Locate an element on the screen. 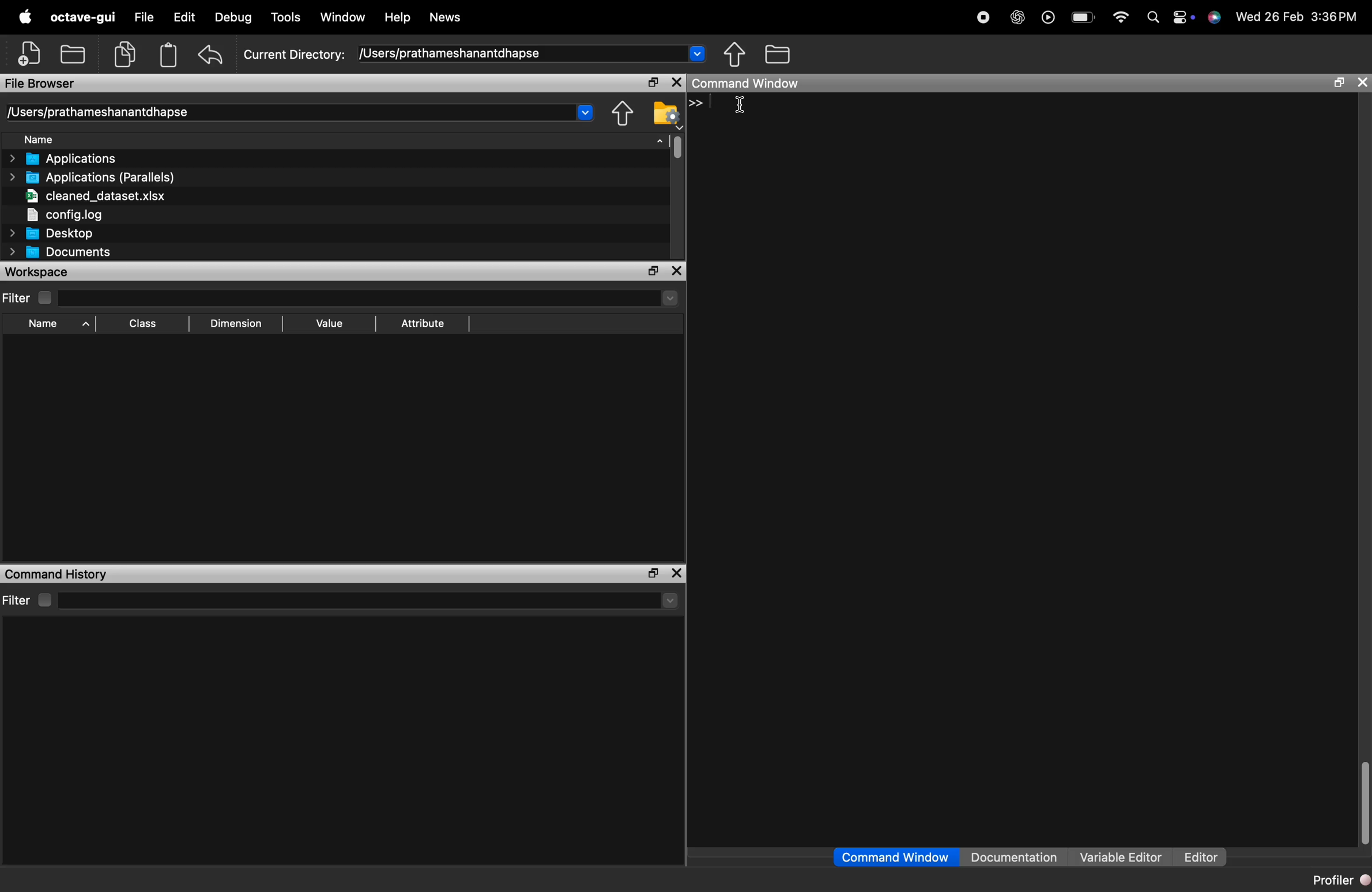  Current Directory: is located at coordinates (295, 56).